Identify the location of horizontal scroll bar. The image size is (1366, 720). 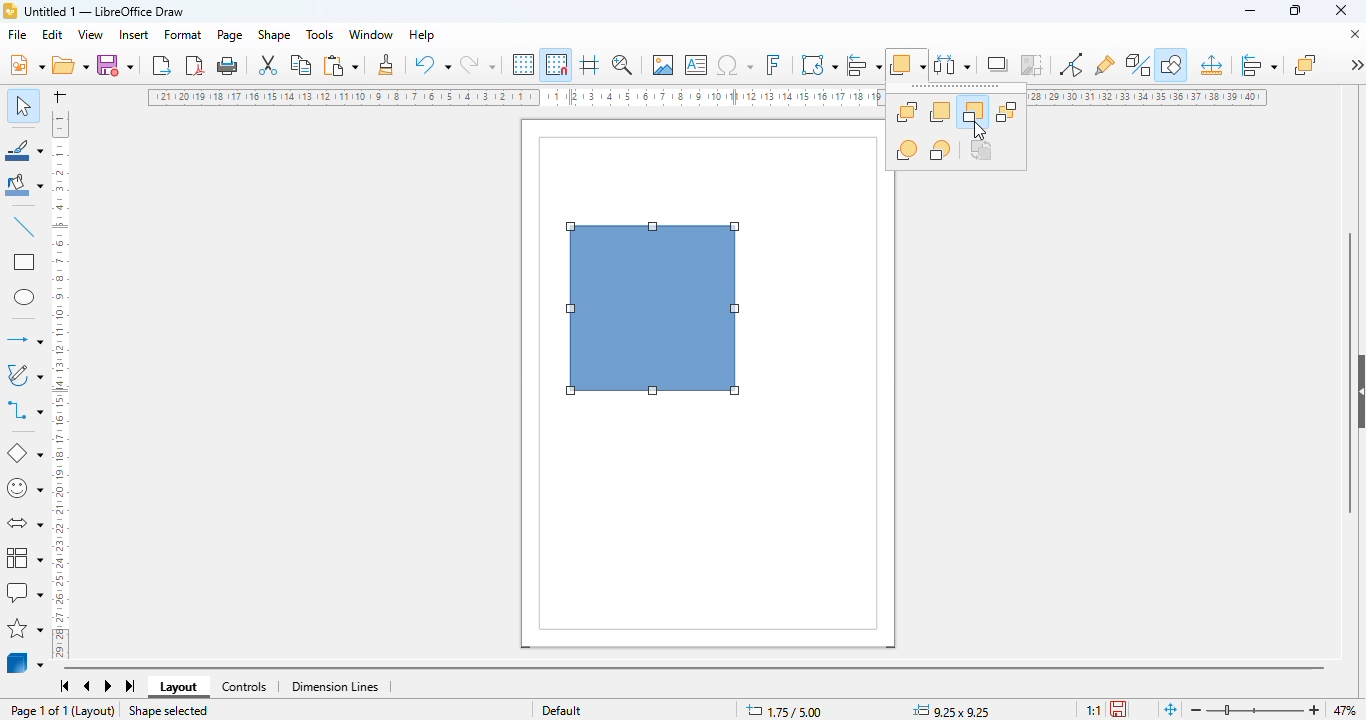
(693, 668).